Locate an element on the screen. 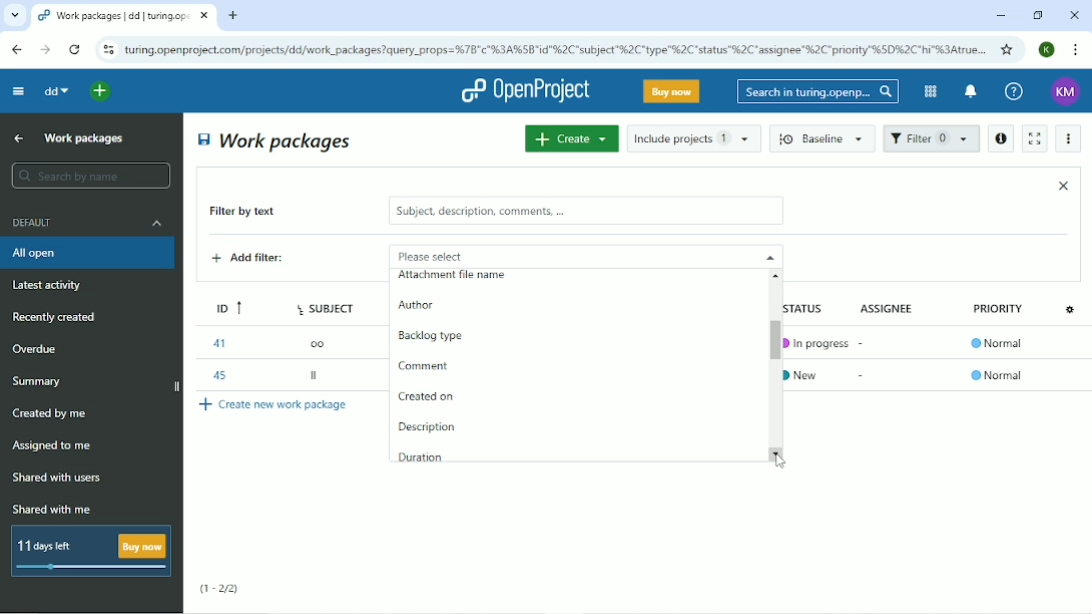 Image resolution: width=1092 pixels, height=614 pixels. Please select is located at coordinates (558, 255).